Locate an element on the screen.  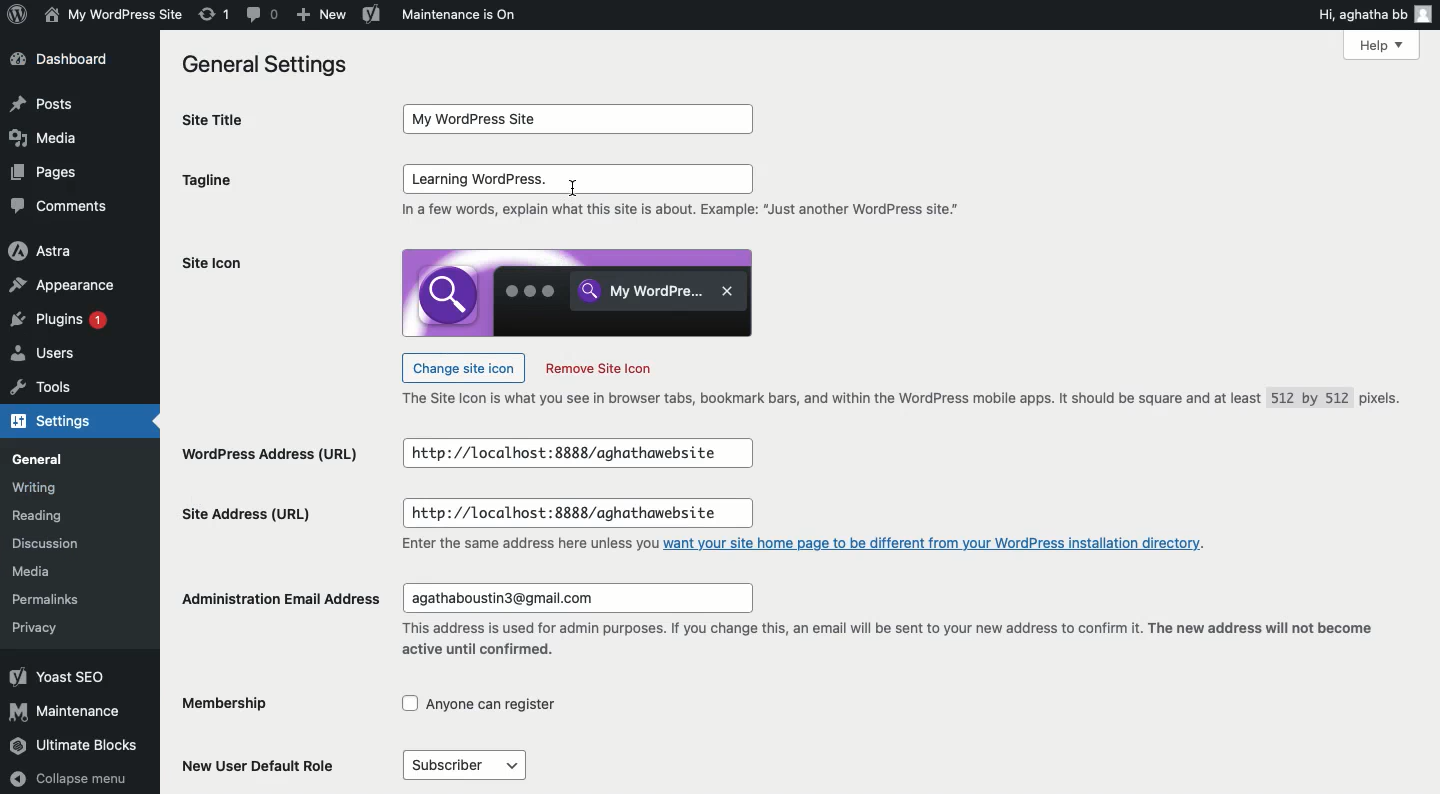
Yoast is located at coordinates (57, 676).